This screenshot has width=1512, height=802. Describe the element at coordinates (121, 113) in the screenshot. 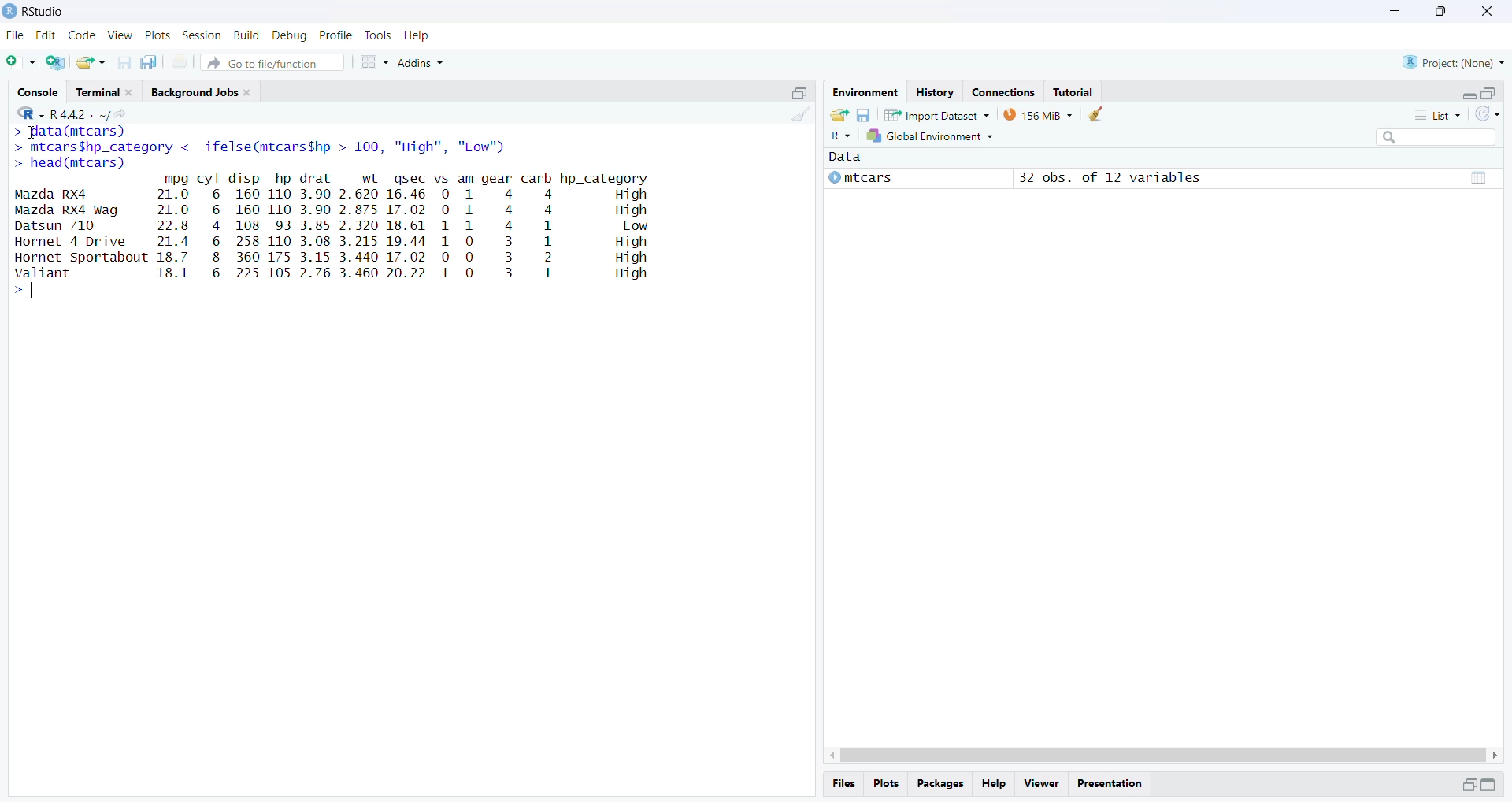

I see `View the current working directory` at that location.